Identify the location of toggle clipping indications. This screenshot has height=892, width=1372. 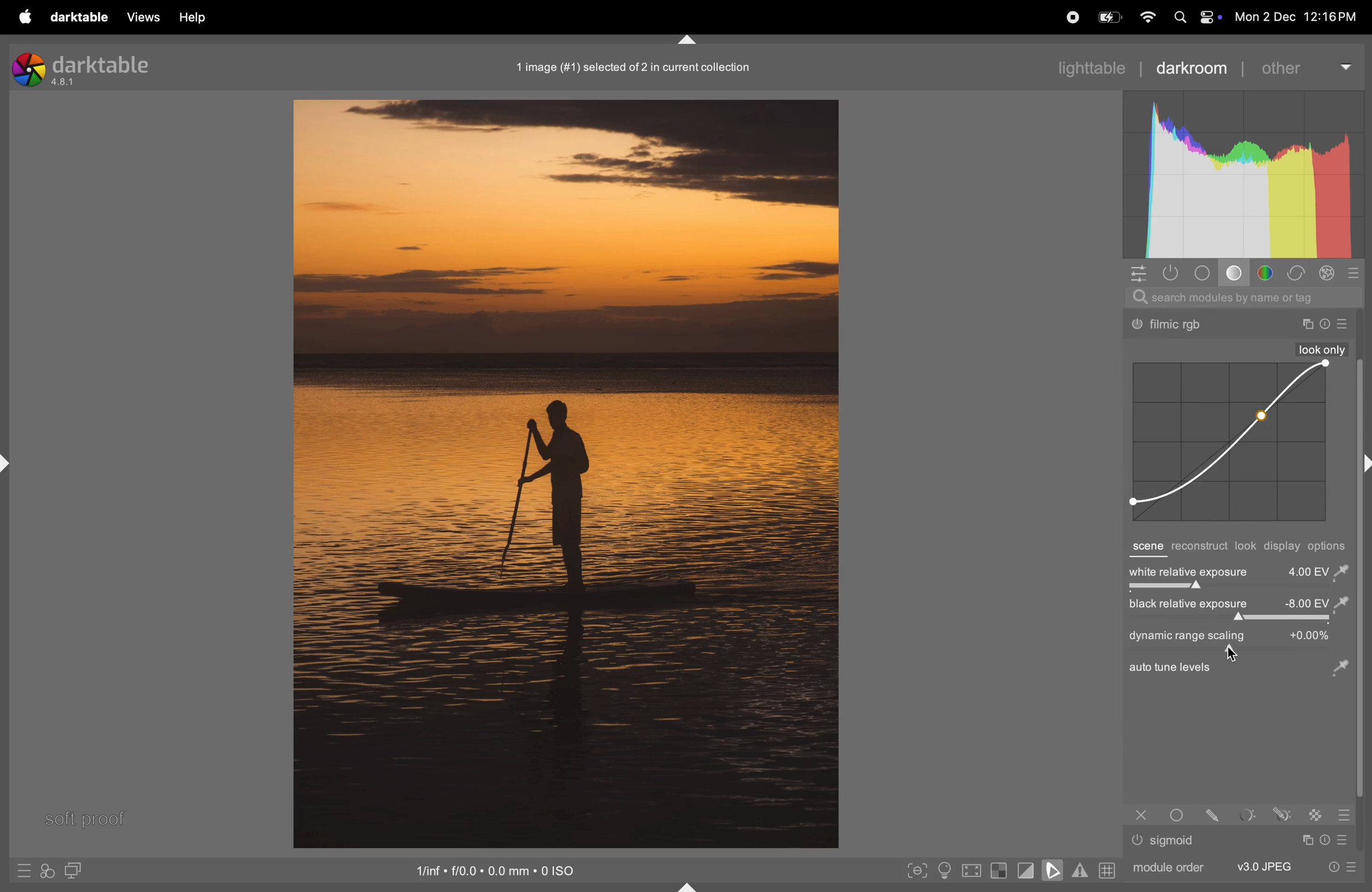
(1026, 870).